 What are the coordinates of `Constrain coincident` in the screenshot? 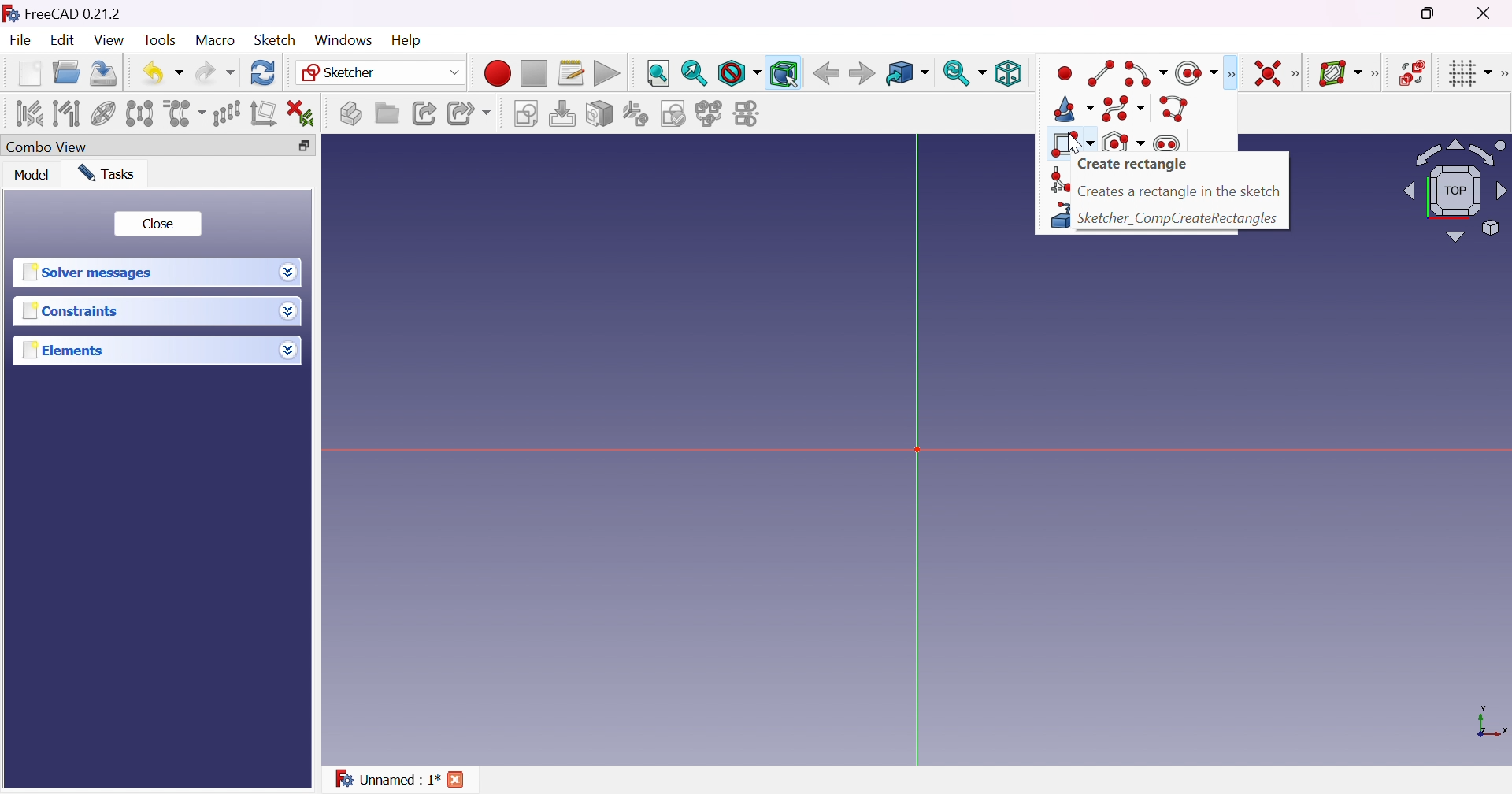 It's located at (1270, 73).